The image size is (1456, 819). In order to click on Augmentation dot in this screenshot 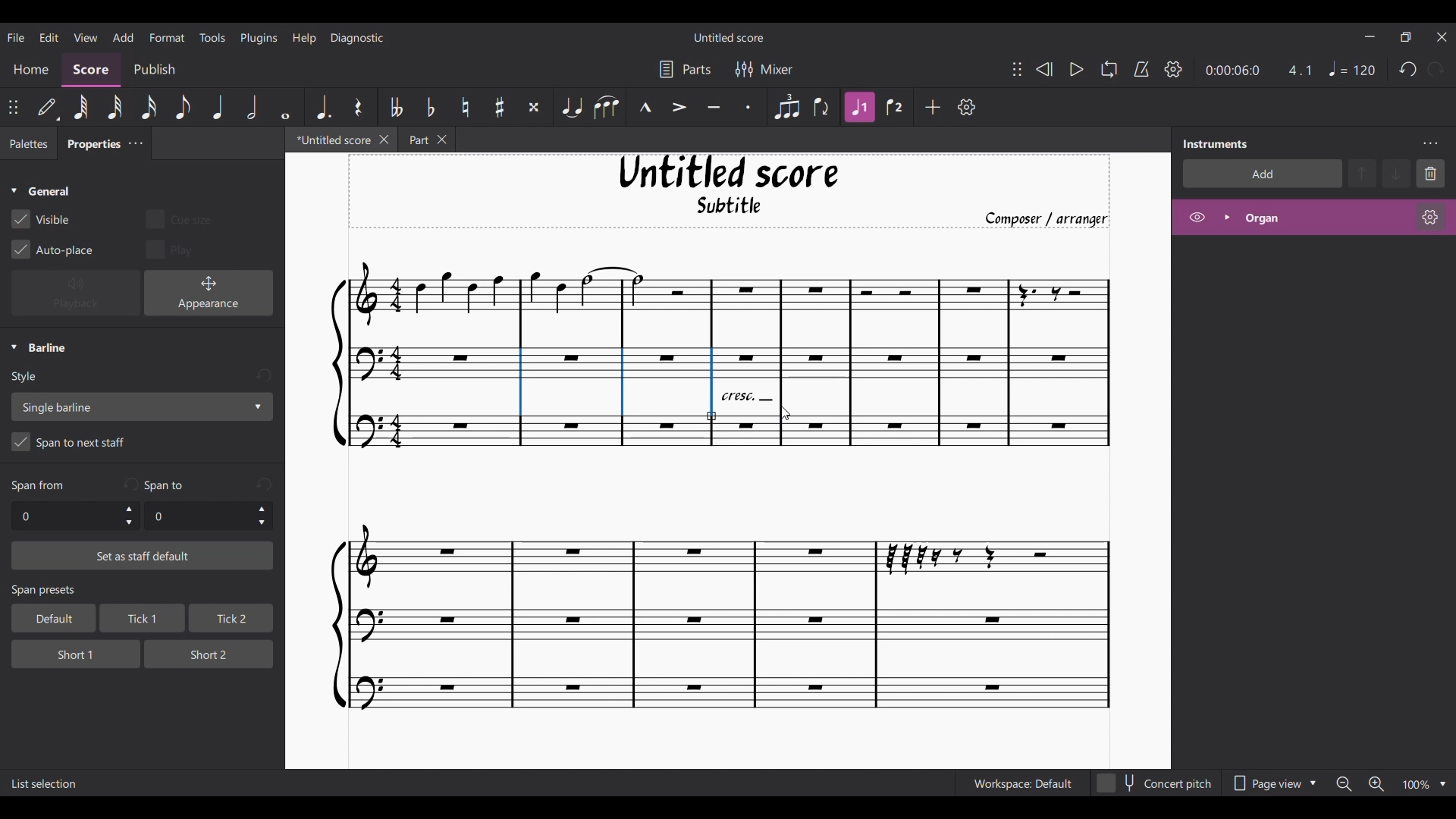, I will do `click(322, 106)`.